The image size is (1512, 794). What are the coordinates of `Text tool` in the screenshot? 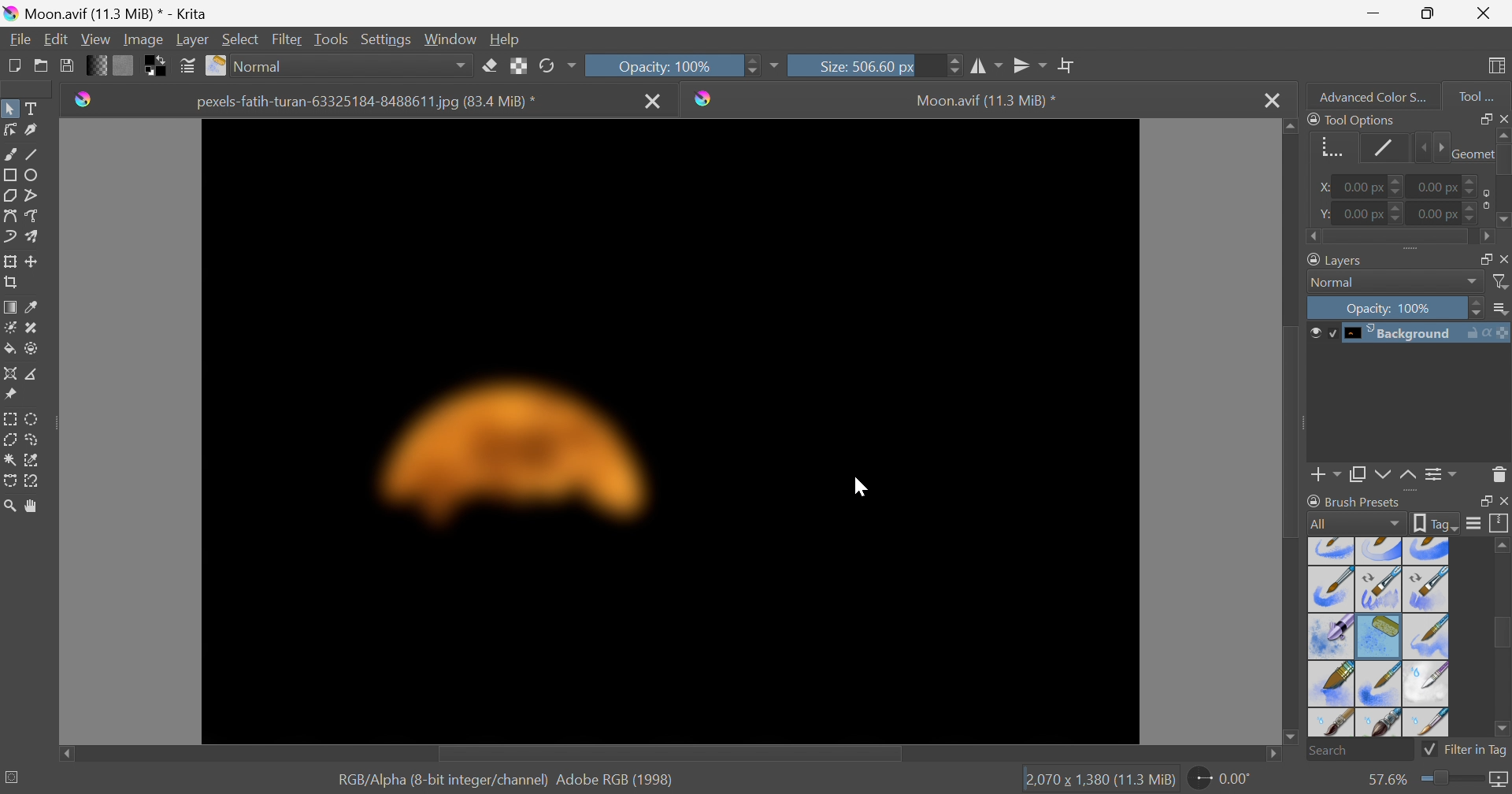 It's located at (31, 108).